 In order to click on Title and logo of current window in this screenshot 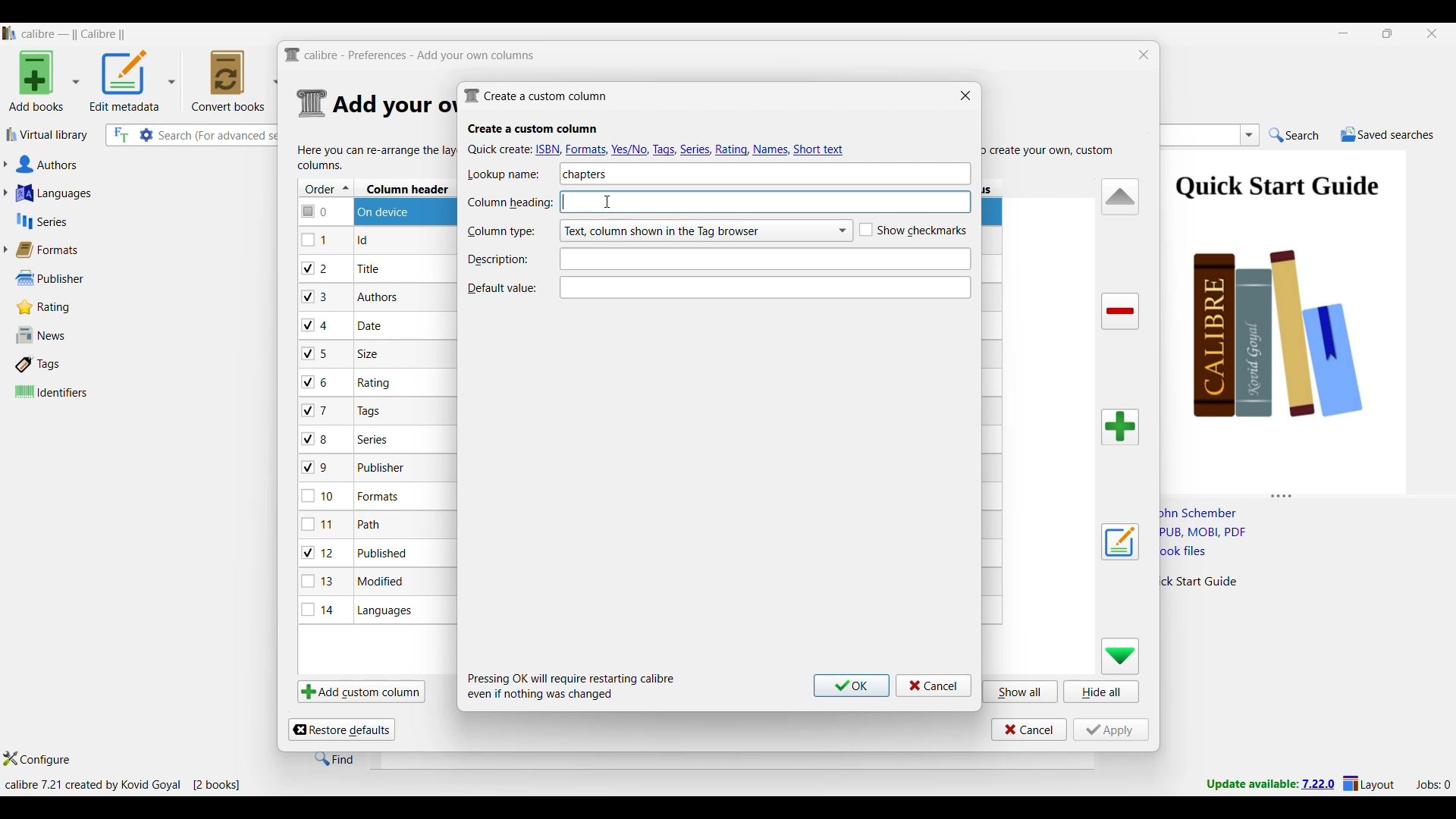, I will do `click(410, 55)`.